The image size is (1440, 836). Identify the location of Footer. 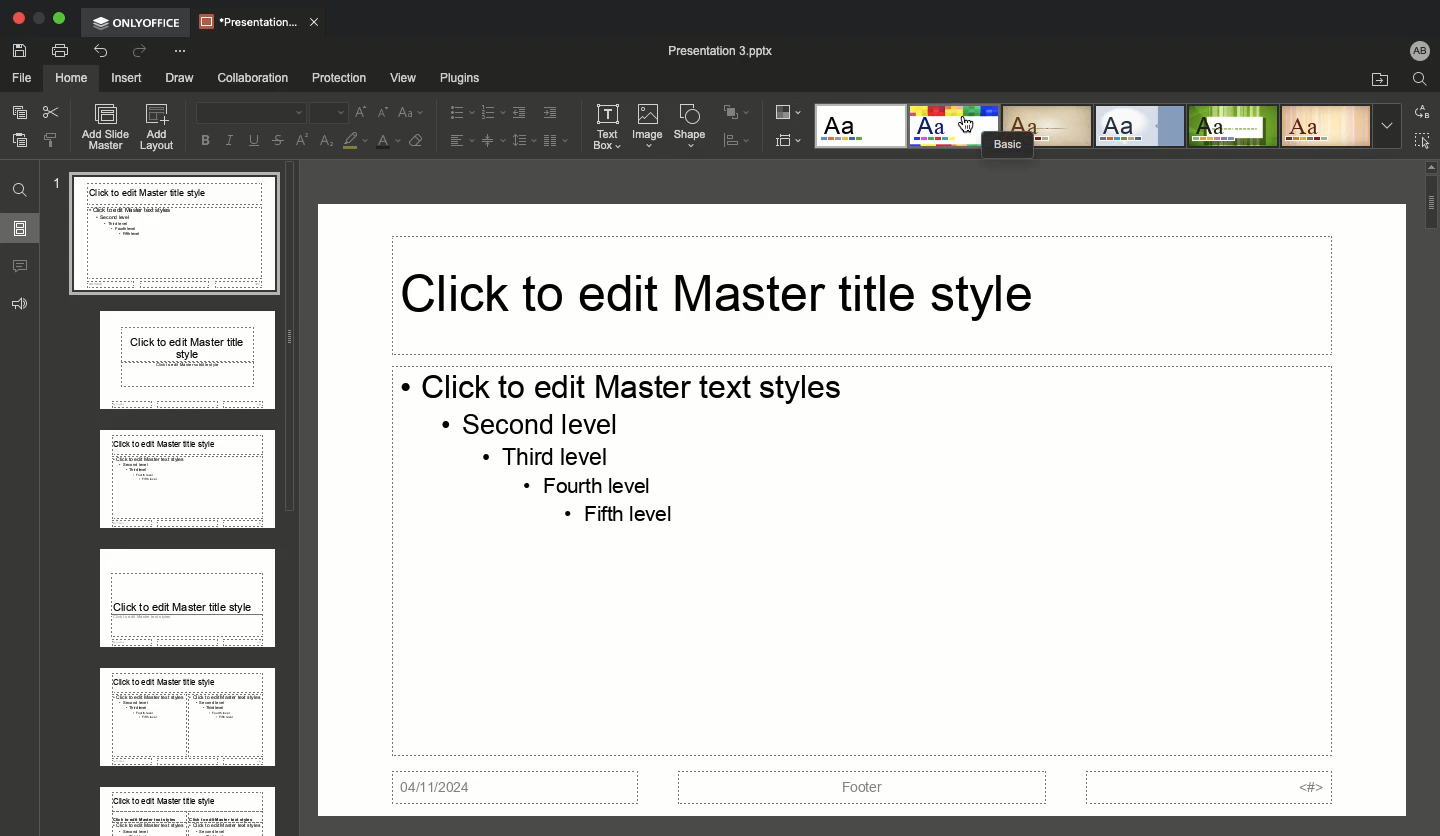
(860, 789).